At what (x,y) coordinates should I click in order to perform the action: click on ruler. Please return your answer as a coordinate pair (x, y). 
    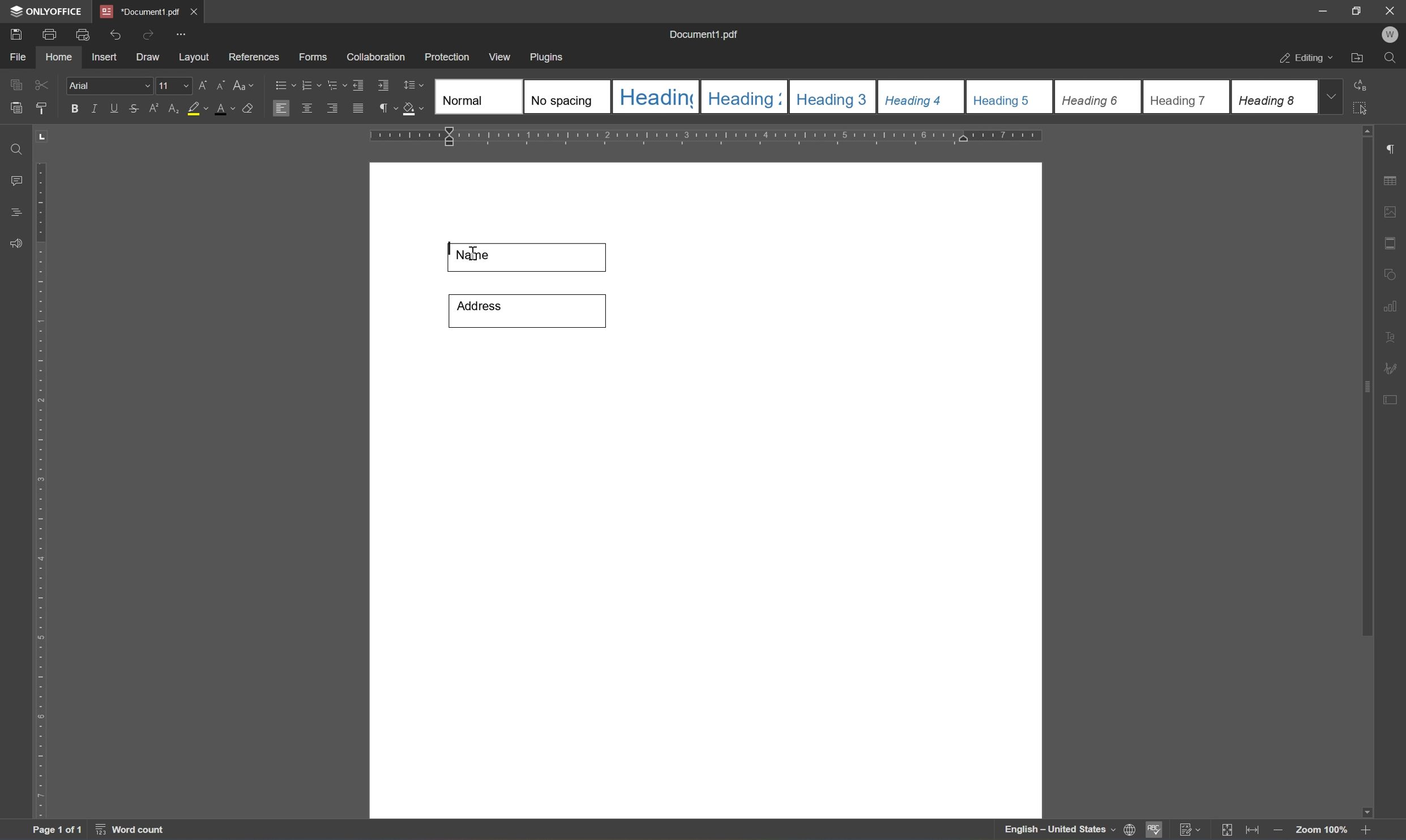
    Looking at the image, I should click on (708, 136).